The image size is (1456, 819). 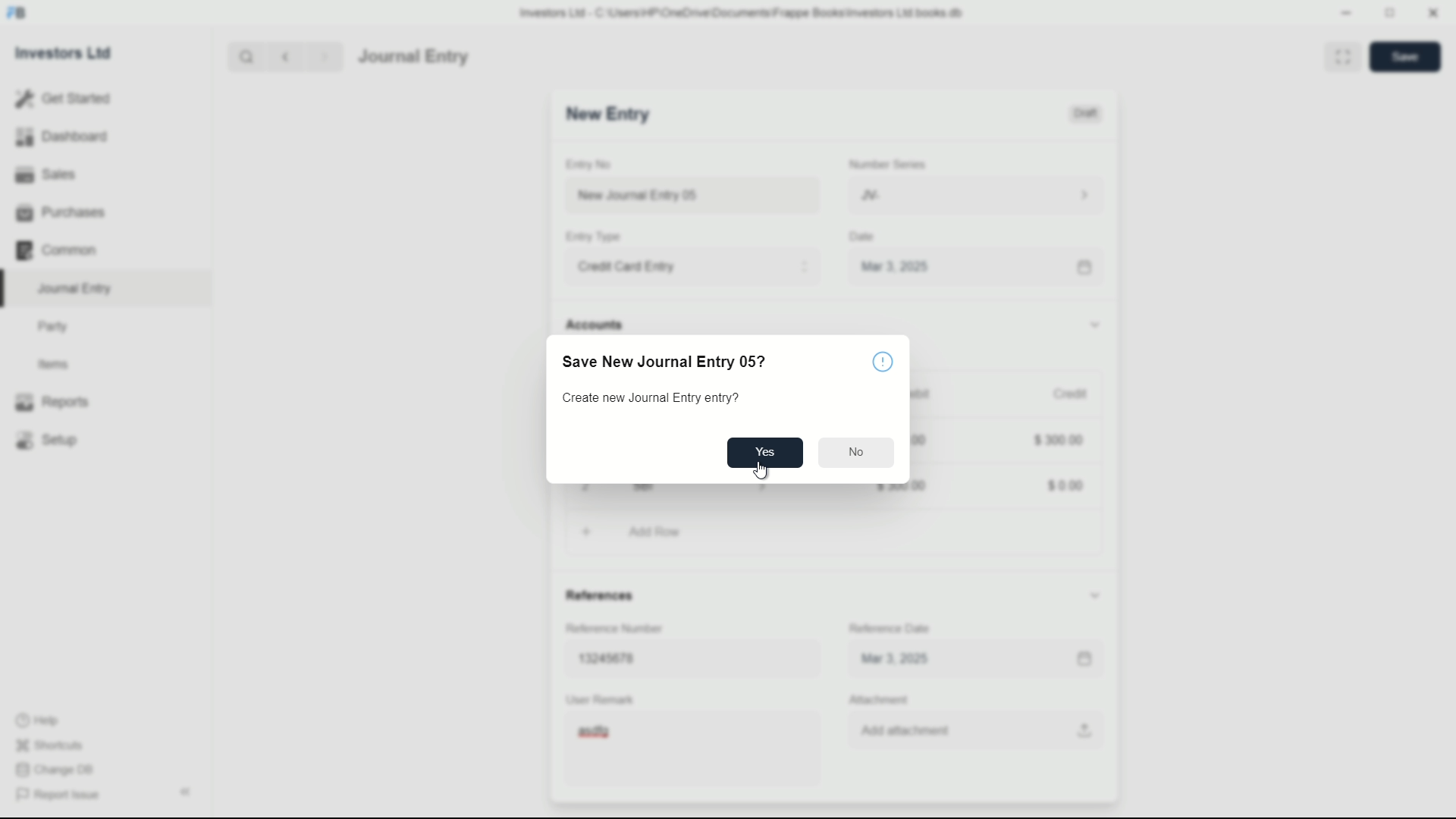 I want to click on info icon, so click(x=880, y=359).